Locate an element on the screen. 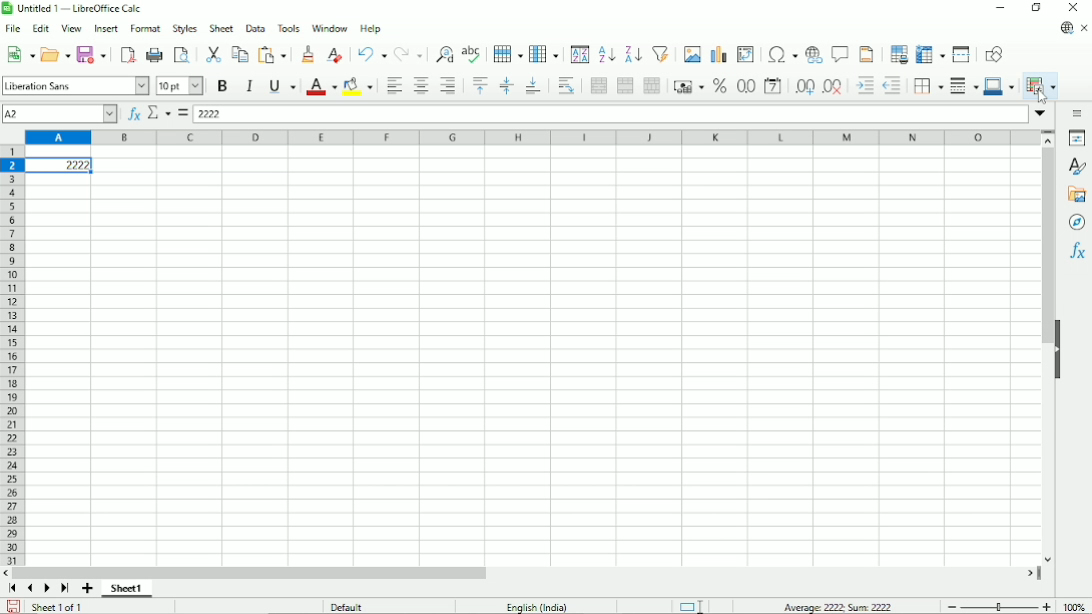 The width and height of the screenshot is (1092, 614). Italic is located at coordinates (250, 86).